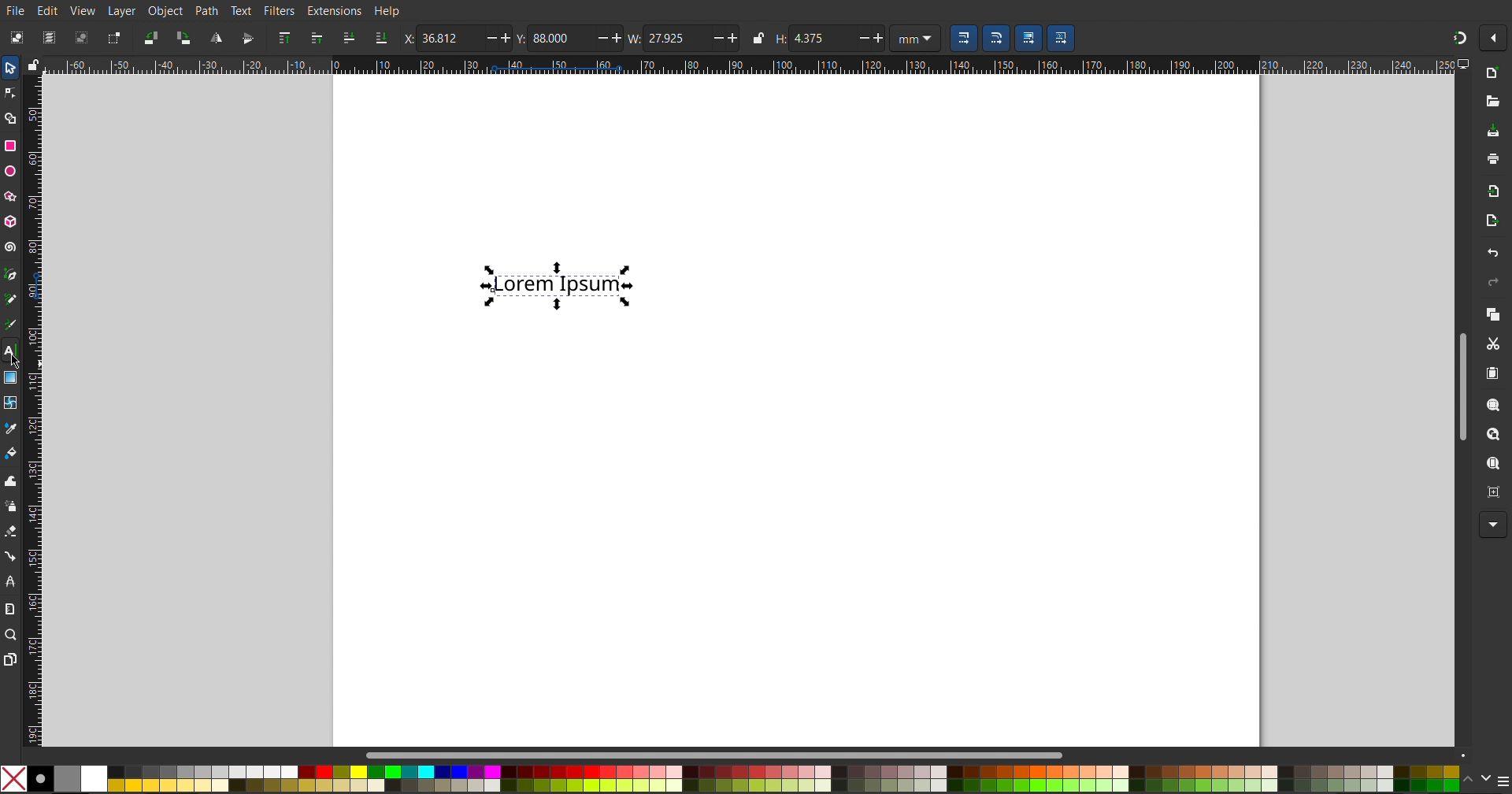 The image size is (1512, 794). What do you see at coordinates (13, 194) in the screenshot?
I see `Star Polygon` at bounding box center [13, 194].